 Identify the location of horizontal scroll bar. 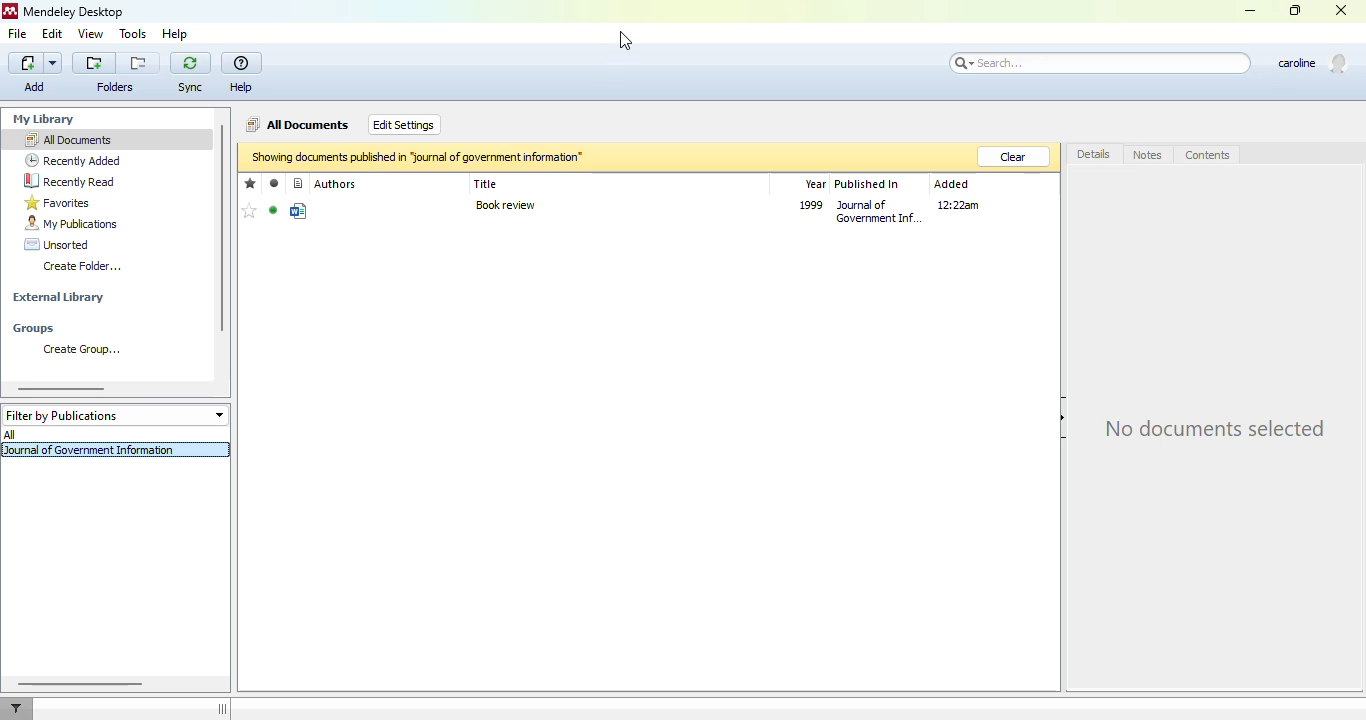
(61, 389).